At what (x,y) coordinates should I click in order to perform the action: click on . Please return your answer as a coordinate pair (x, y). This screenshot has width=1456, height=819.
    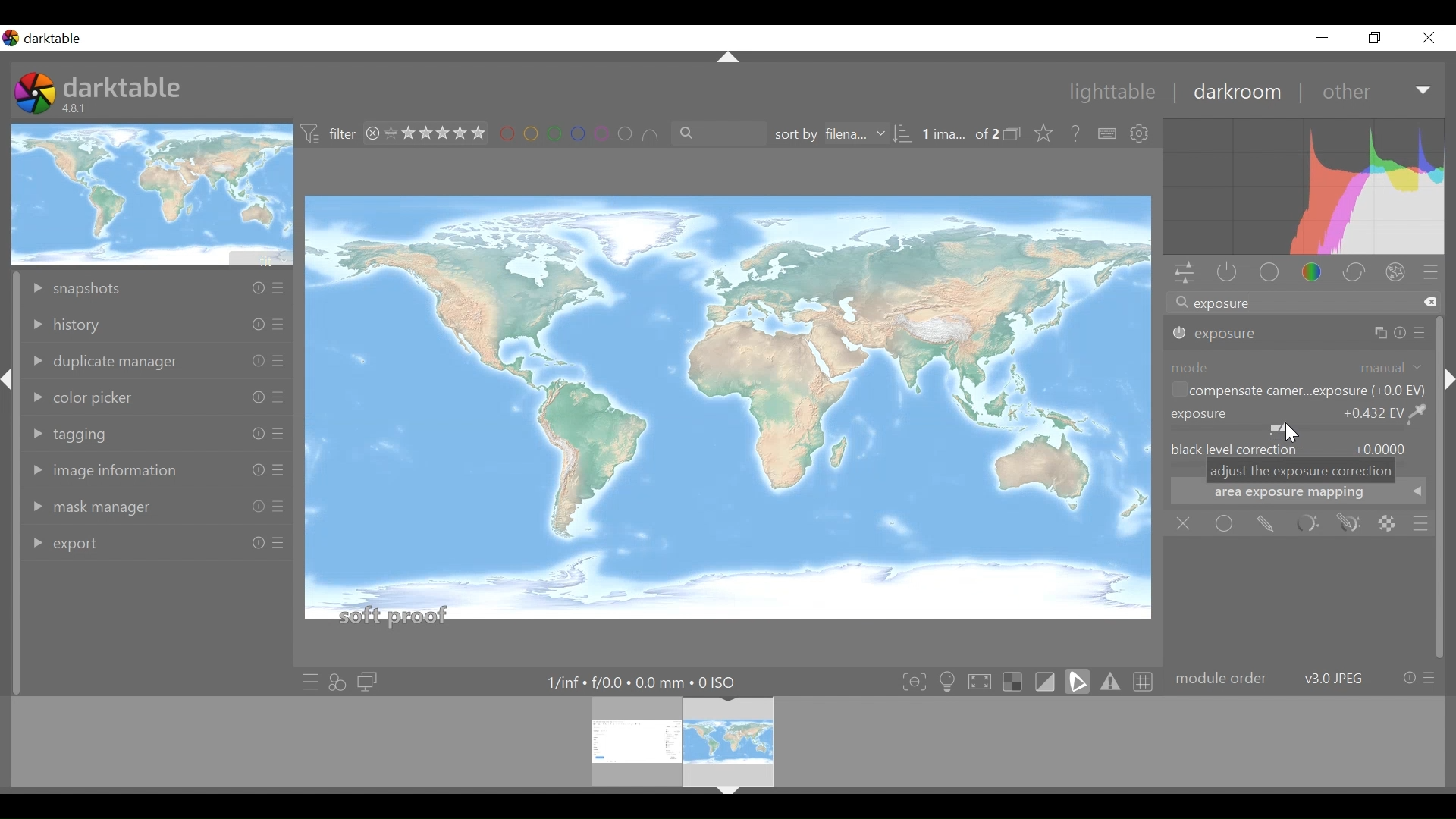
    Looking at the image, I should click on (725, 58).